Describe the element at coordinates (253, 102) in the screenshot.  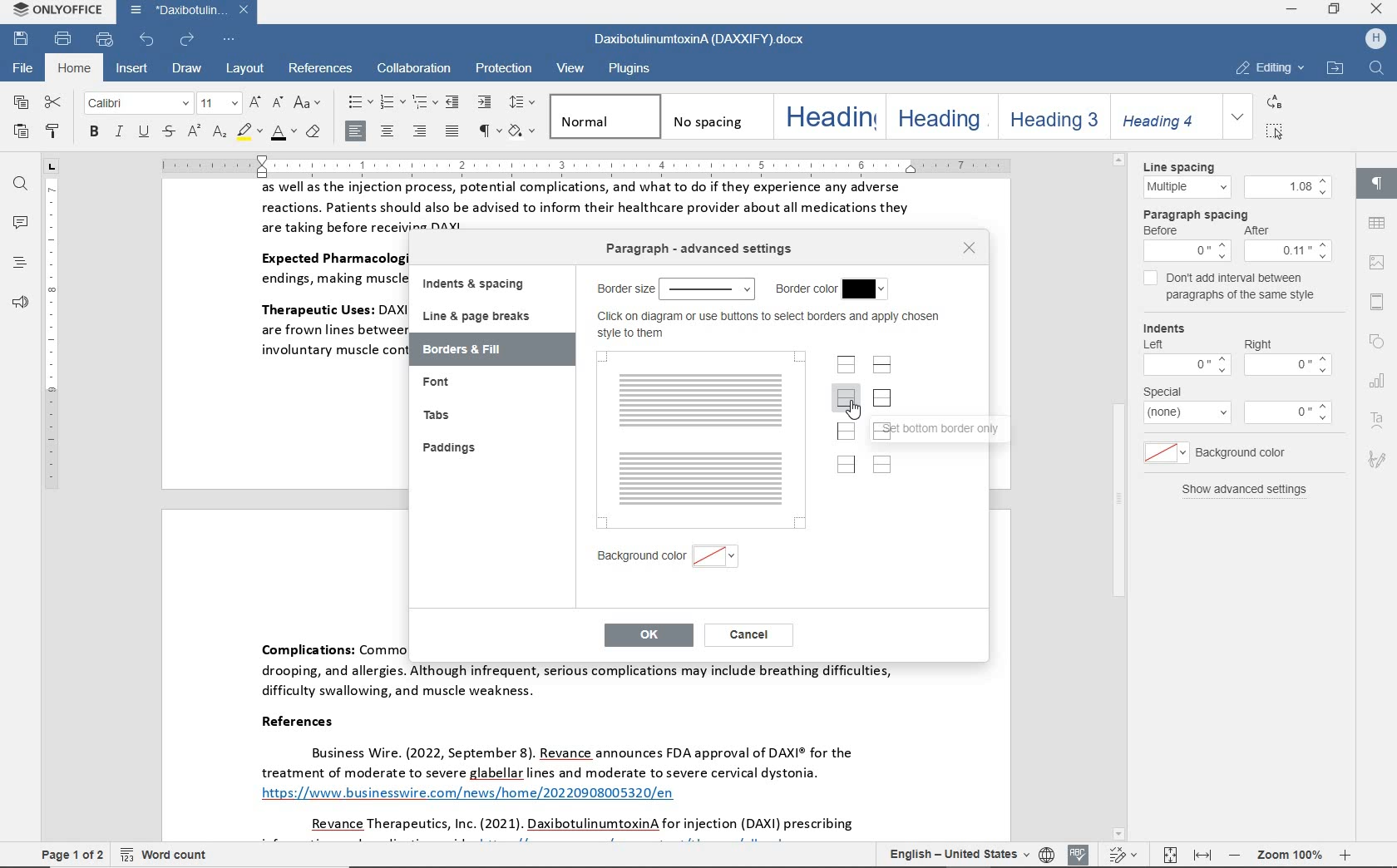
I see `increment font size` at that location.